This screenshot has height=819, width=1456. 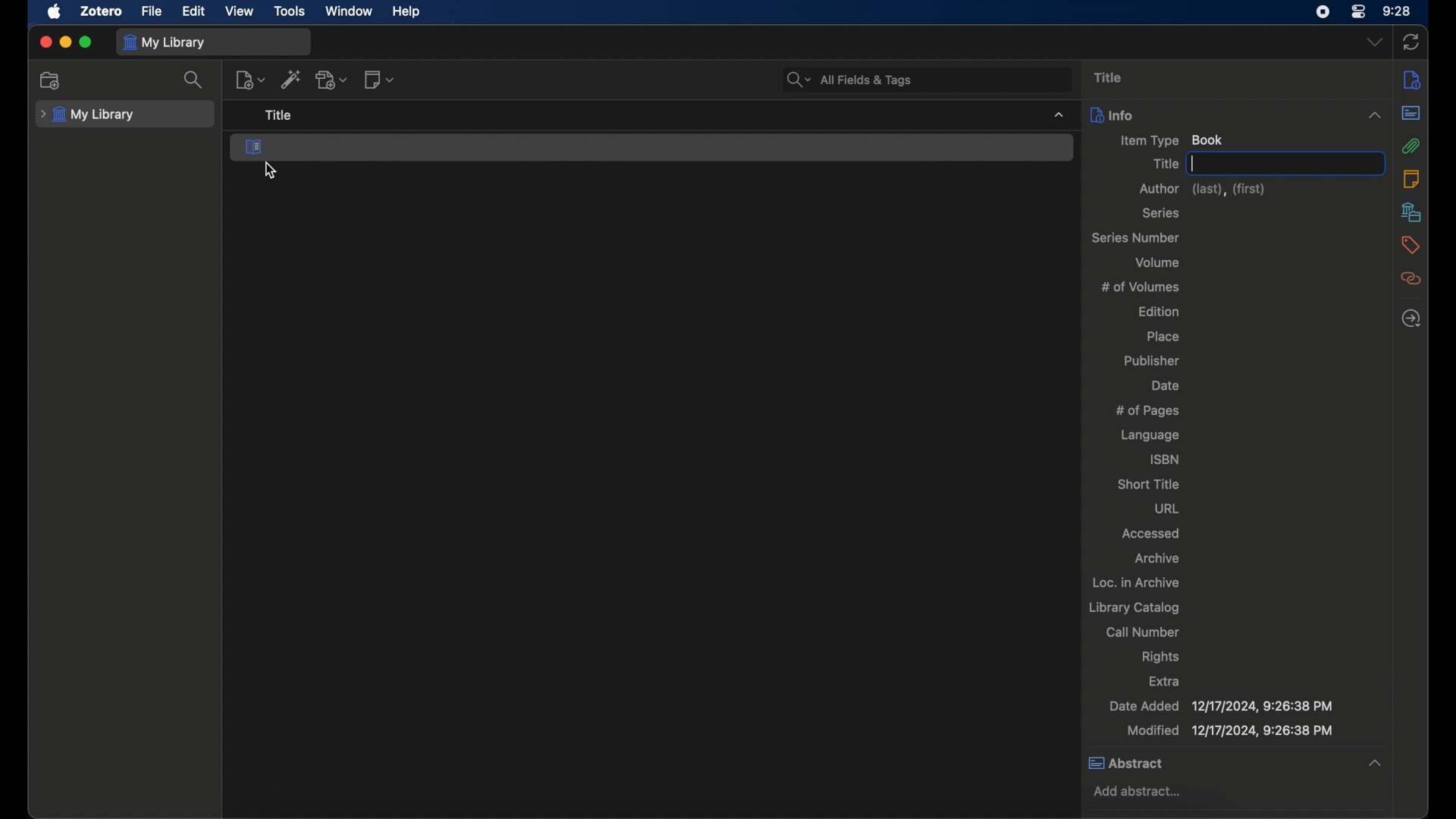 I want to click on all fields and tags, so click(x=850, y=80).